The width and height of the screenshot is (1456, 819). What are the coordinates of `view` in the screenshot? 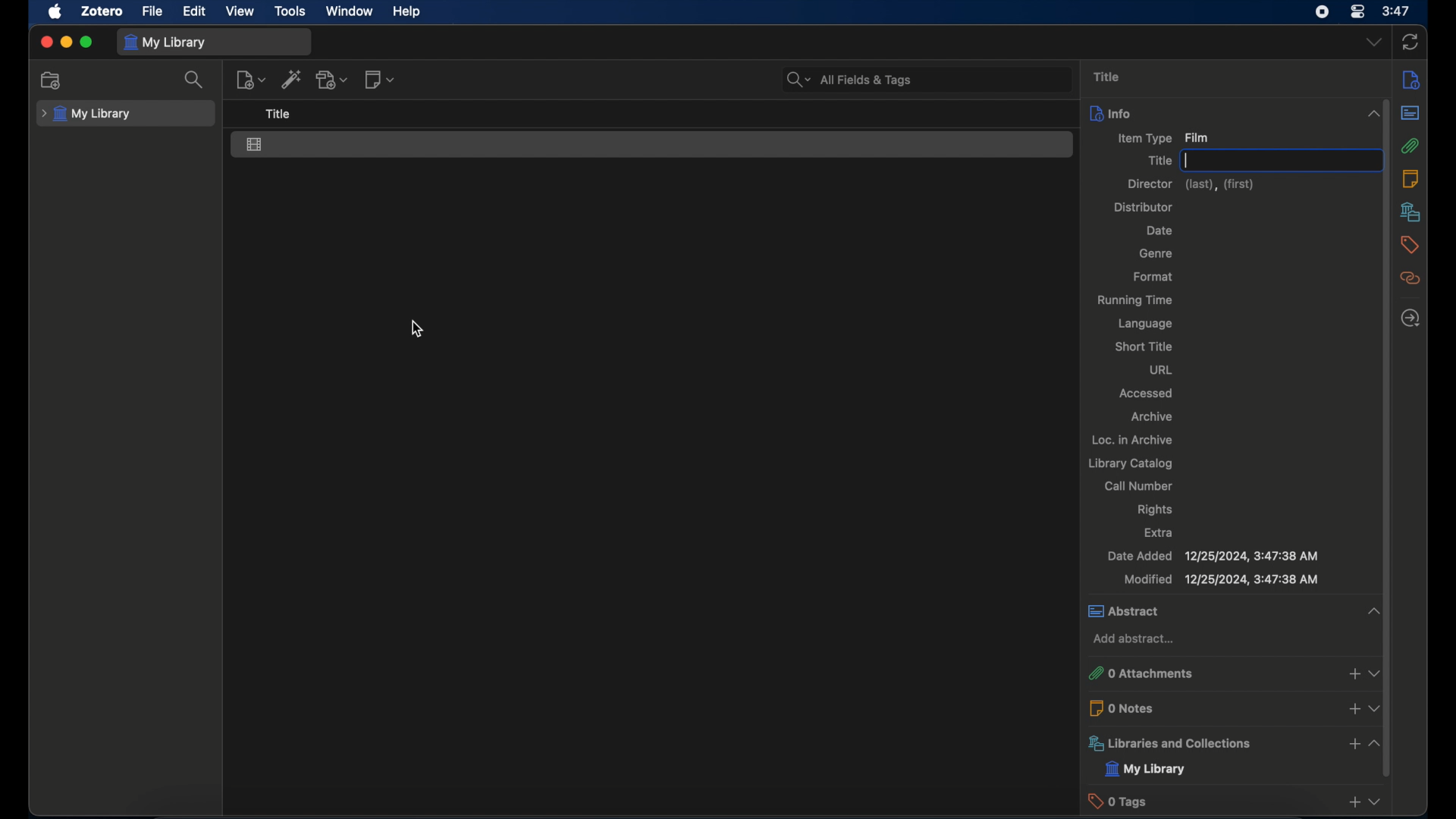 It's located at (241, 11).